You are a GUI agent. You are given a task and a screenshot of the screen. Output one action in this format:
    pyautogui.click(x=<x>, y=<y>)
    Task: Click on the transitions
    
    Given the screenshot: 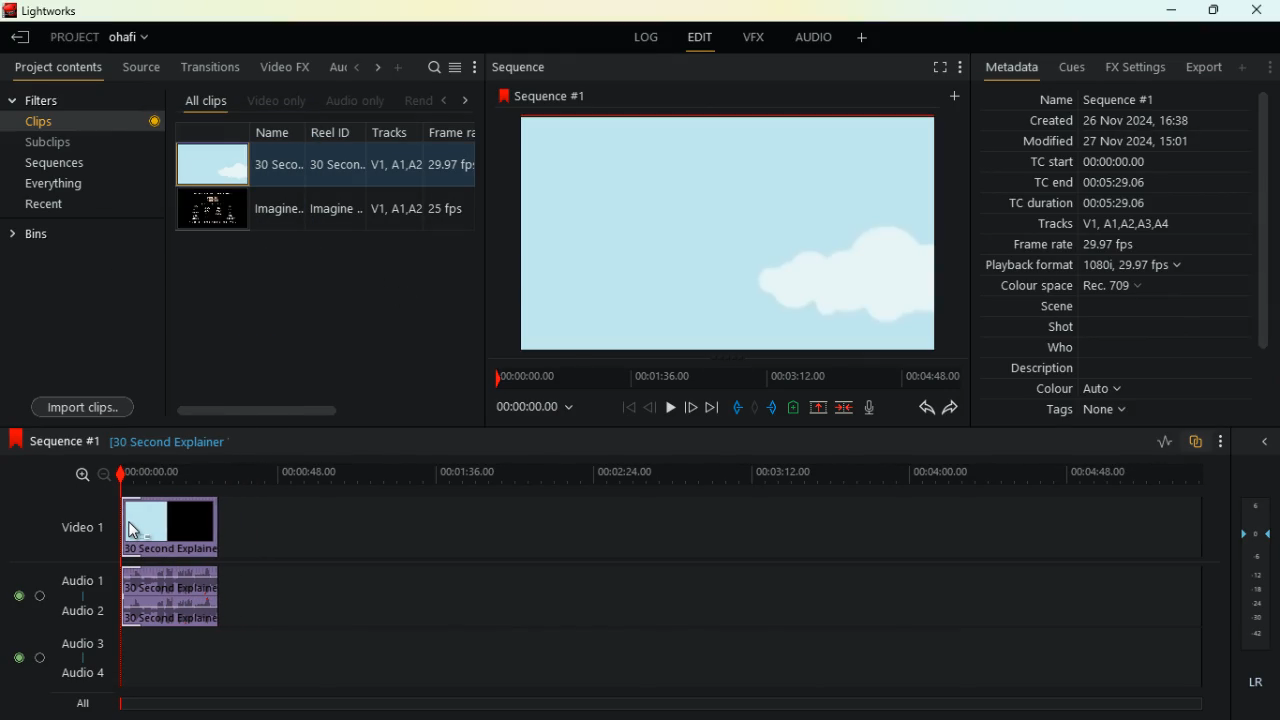 What is the action you would take?
    pyautogui.click(x=214, y=67)
    